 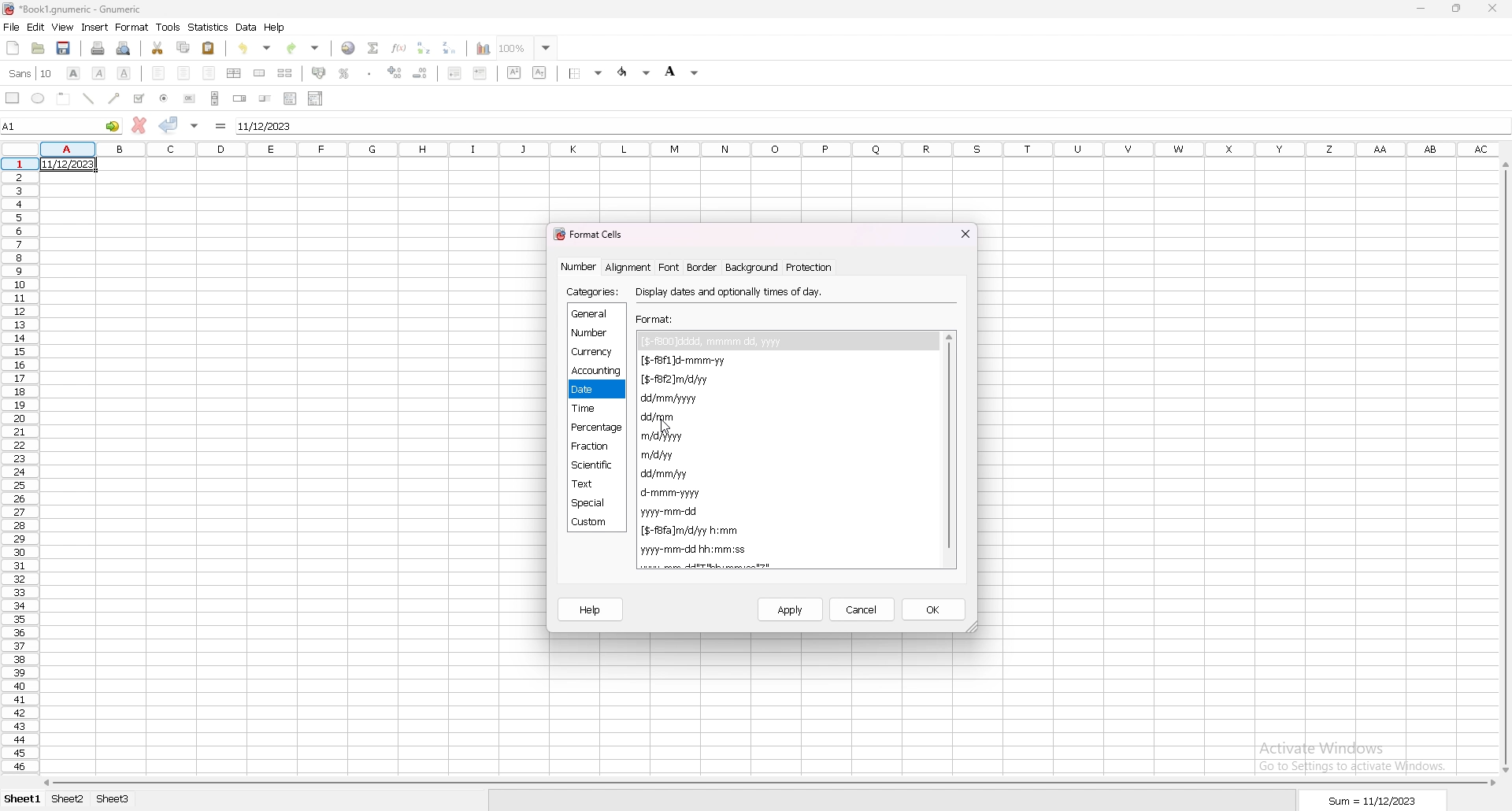 I want to click on sort ascending, so click(x=424, y=47).